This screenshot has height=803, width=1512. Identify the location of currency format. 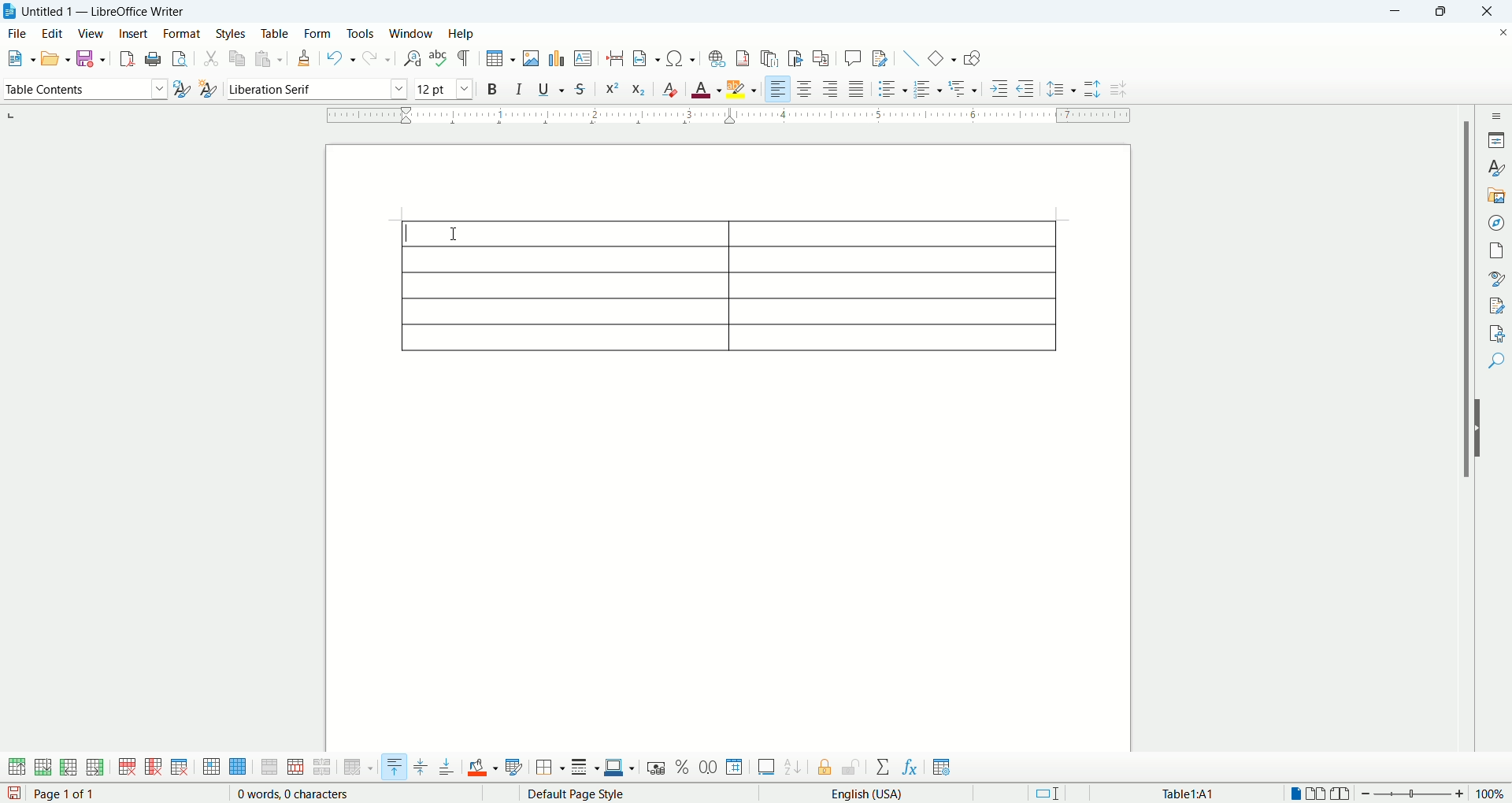
(659, 767).